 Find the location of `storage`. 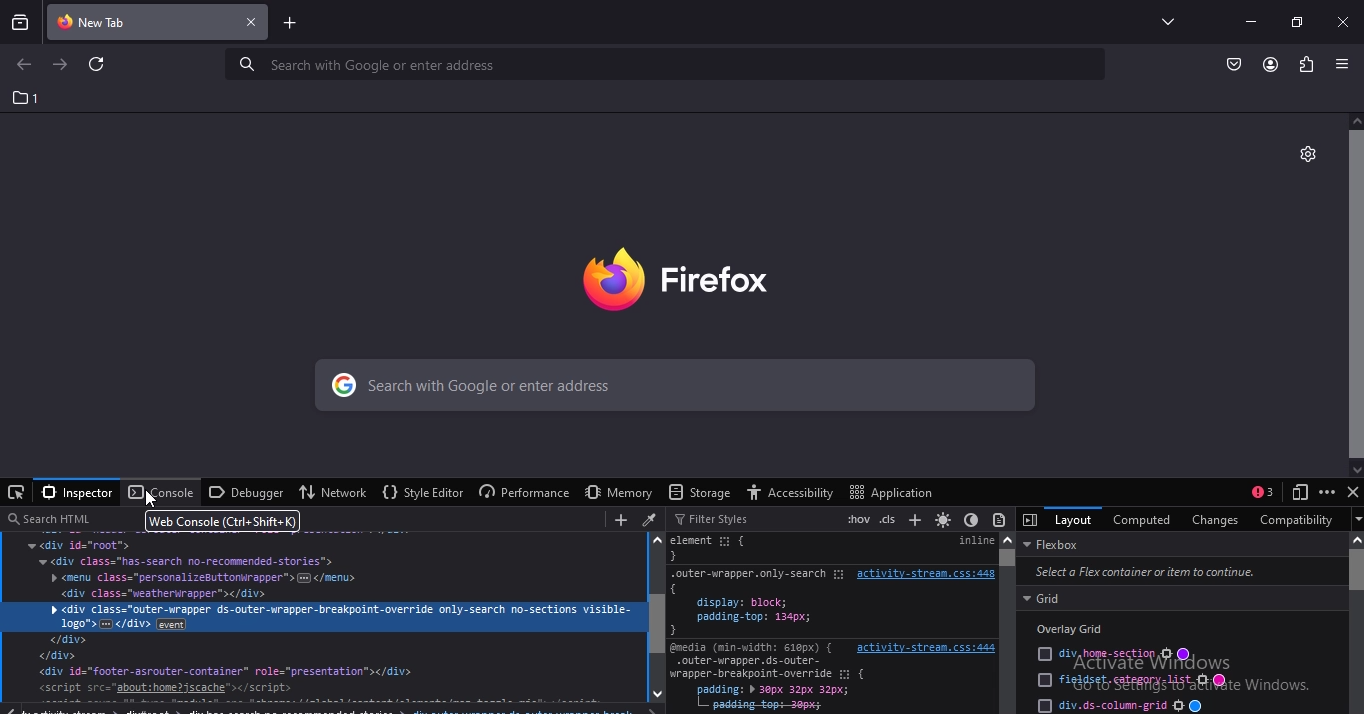

storage is located at coordinates (701, 493).